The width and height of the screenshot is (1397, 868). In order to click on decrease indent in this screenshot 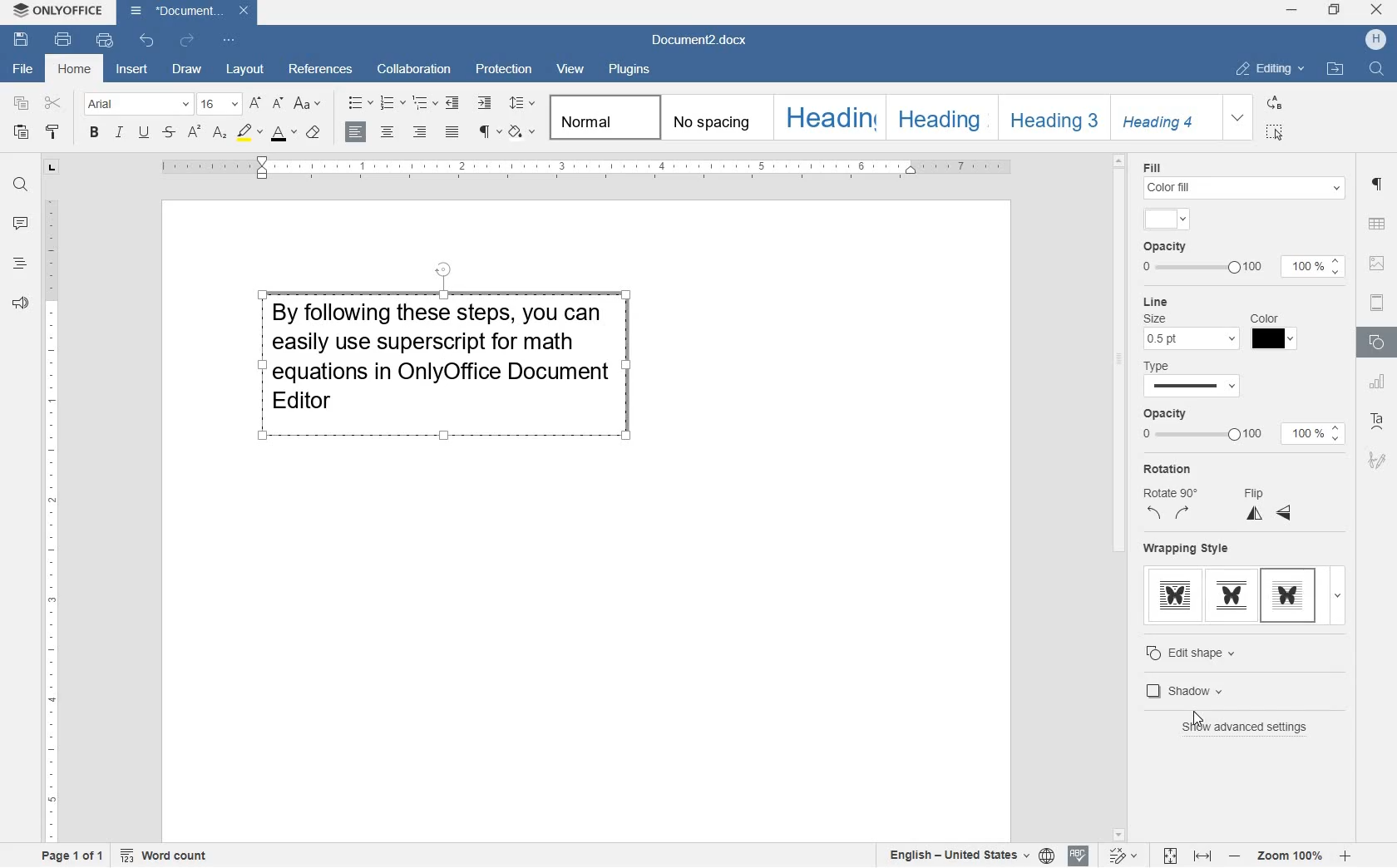, I will do `click(453, 104)`.